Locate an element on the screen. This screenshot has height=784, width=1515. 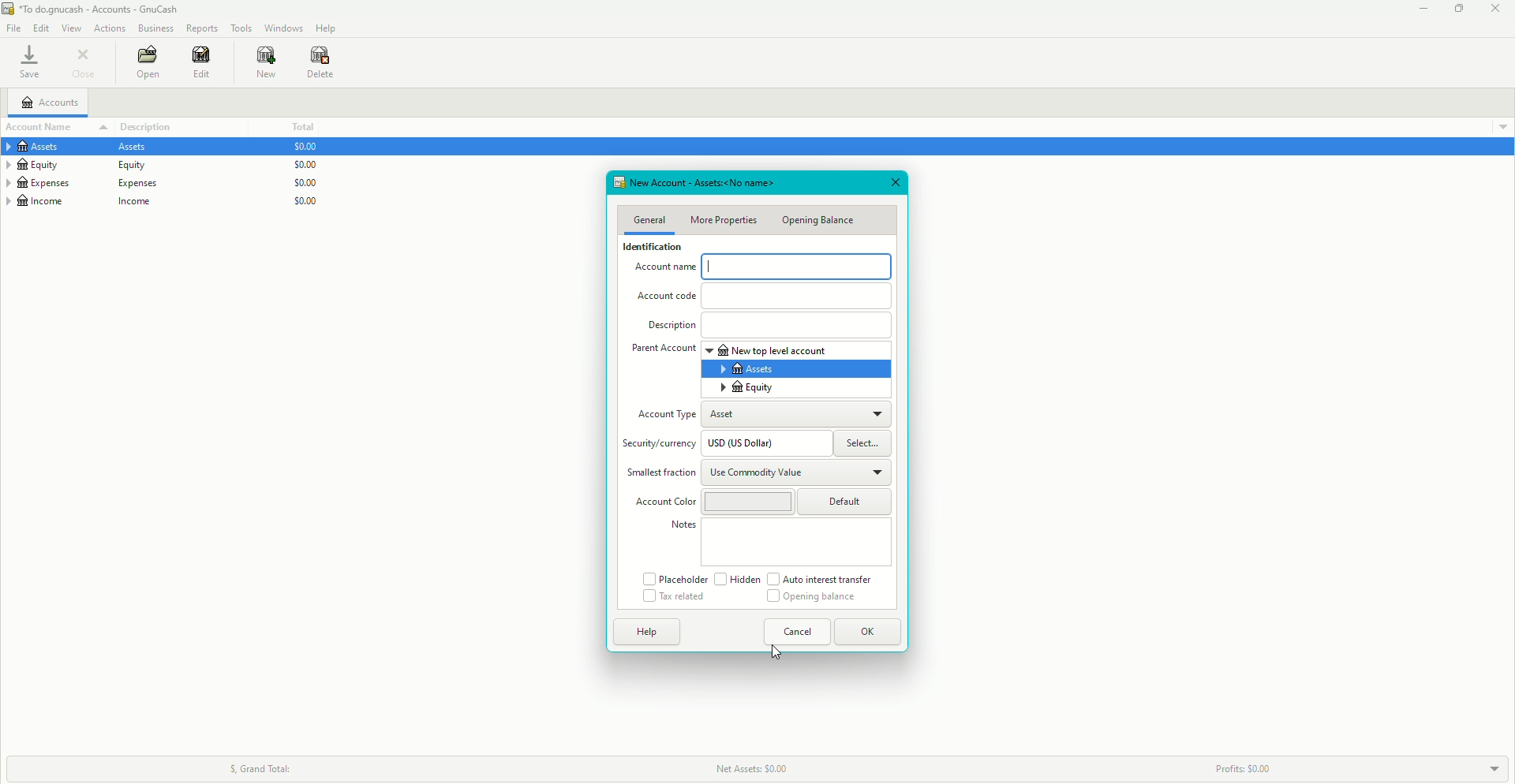
GnuCash is located at coordinates (93, 10).